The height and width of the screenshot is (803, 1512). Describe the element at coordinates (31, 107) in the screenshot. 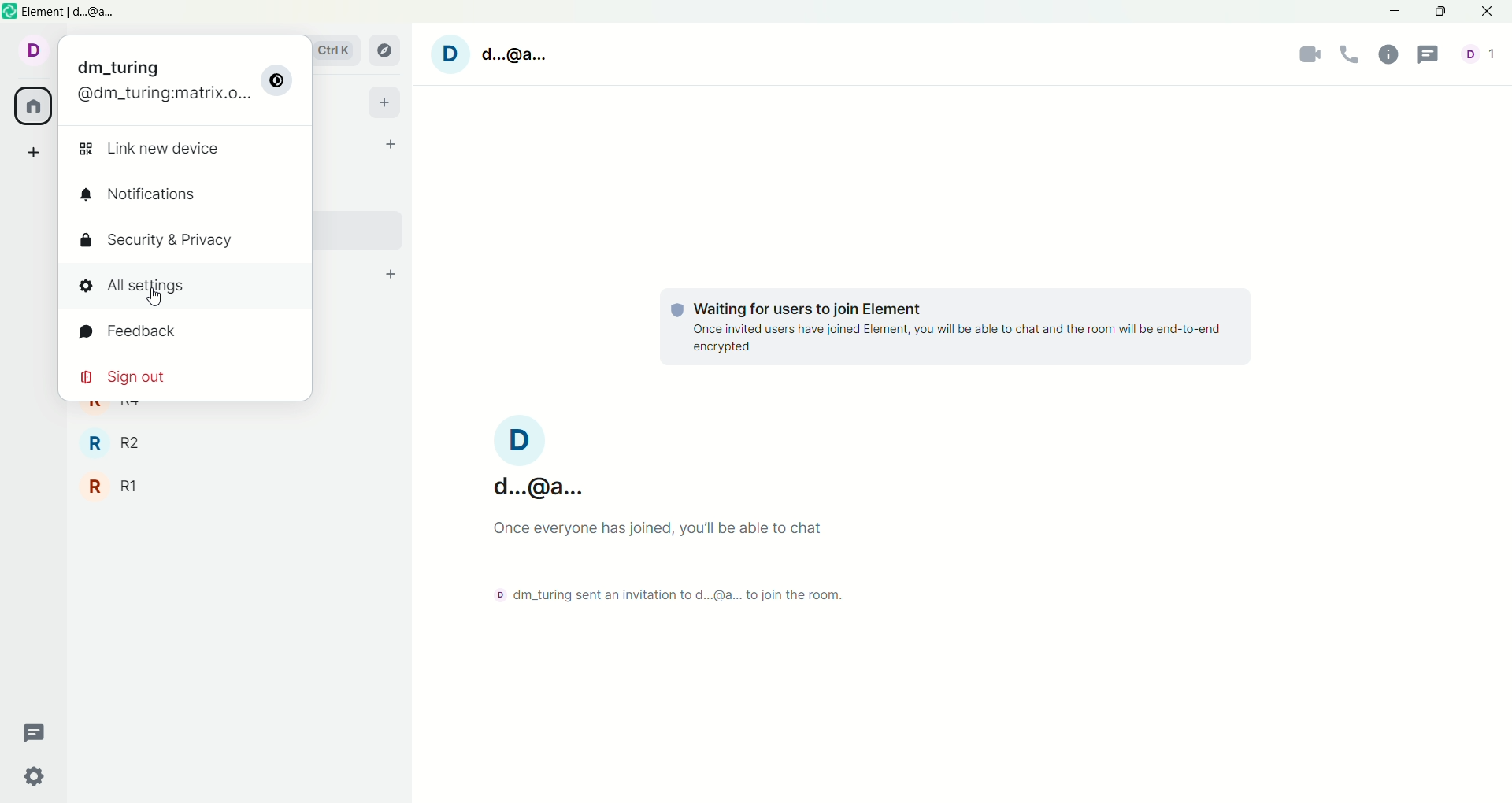

I see `all room` at that location.